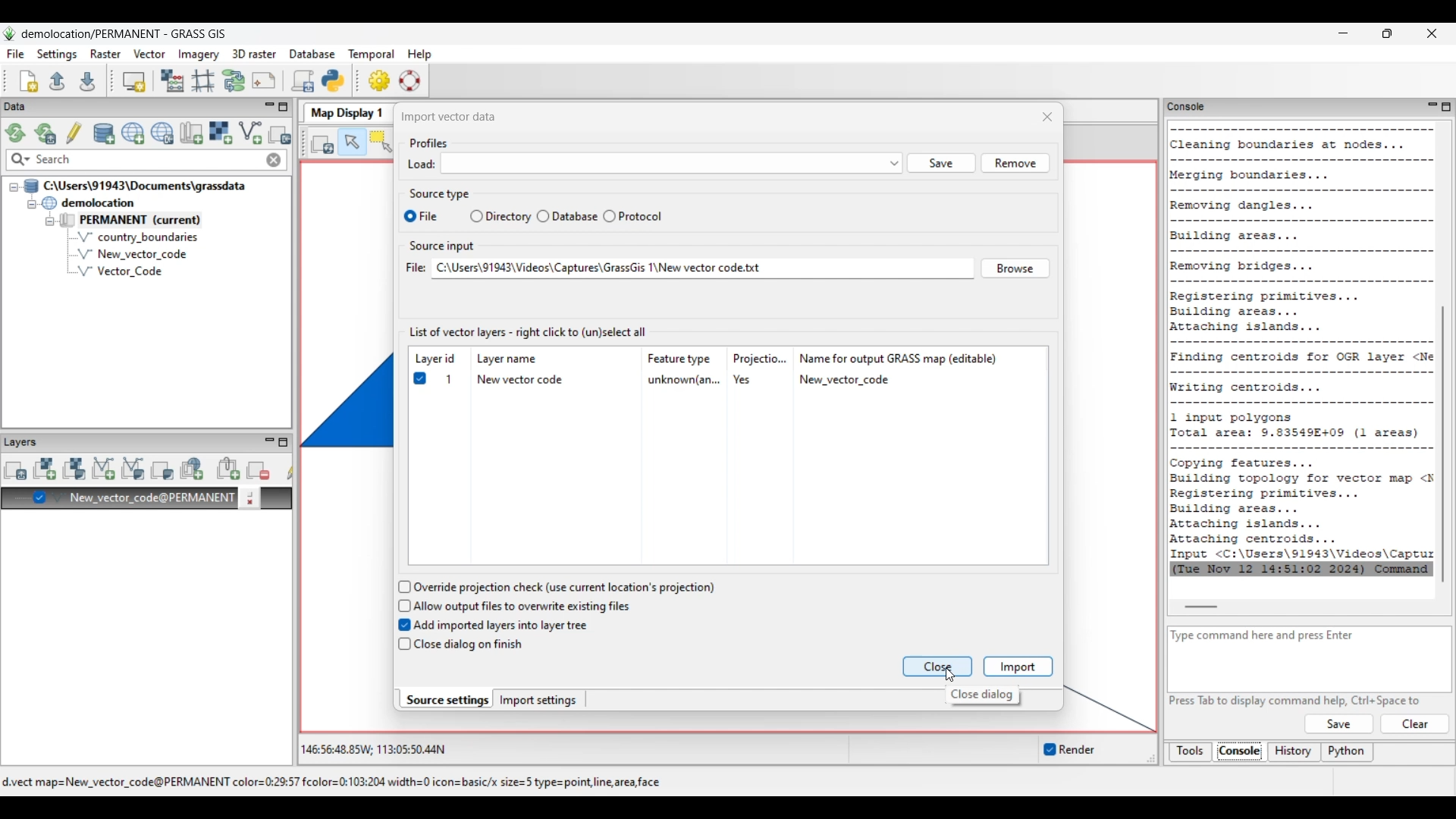  I want to click on Details of selected file, so click(673, 380).